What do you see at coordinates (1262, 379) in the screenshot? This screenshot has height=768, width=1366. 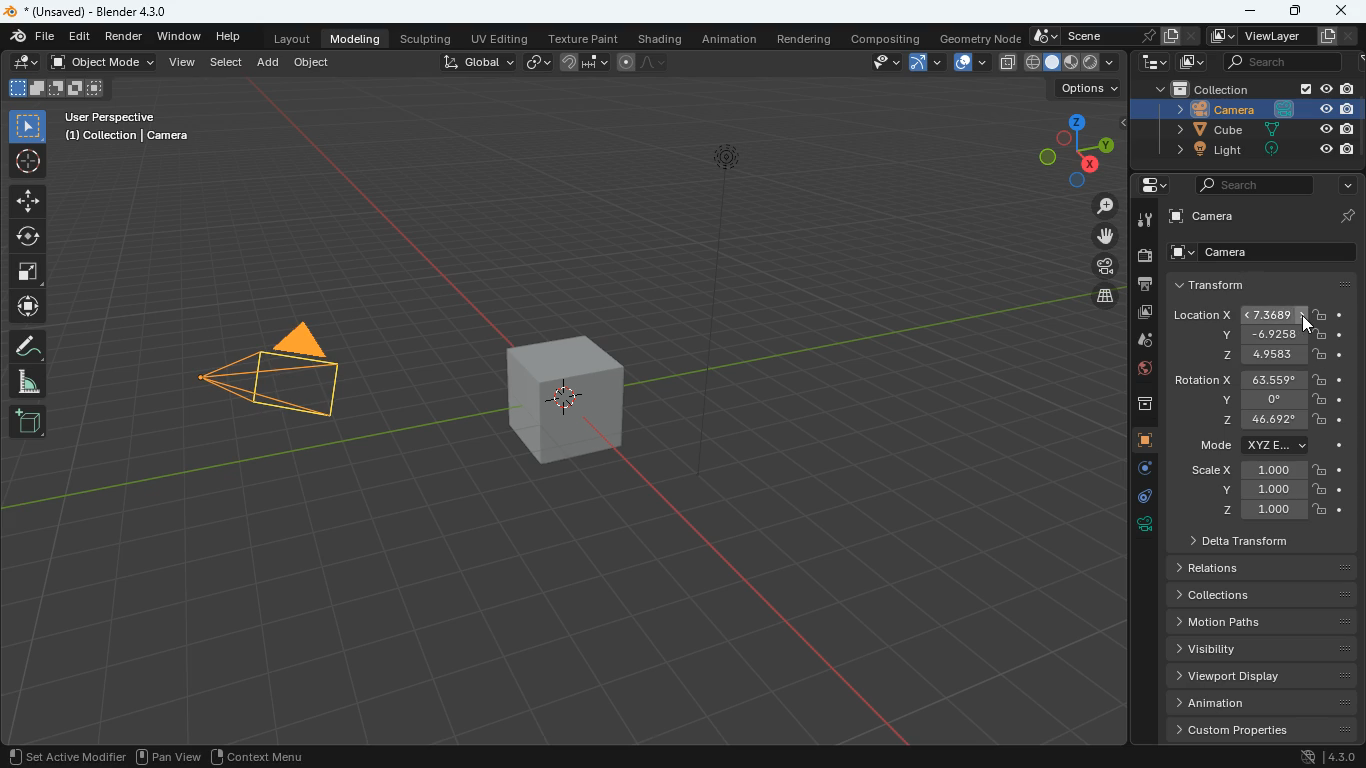 I see `rotation x` at bounding box center [1262, 379].